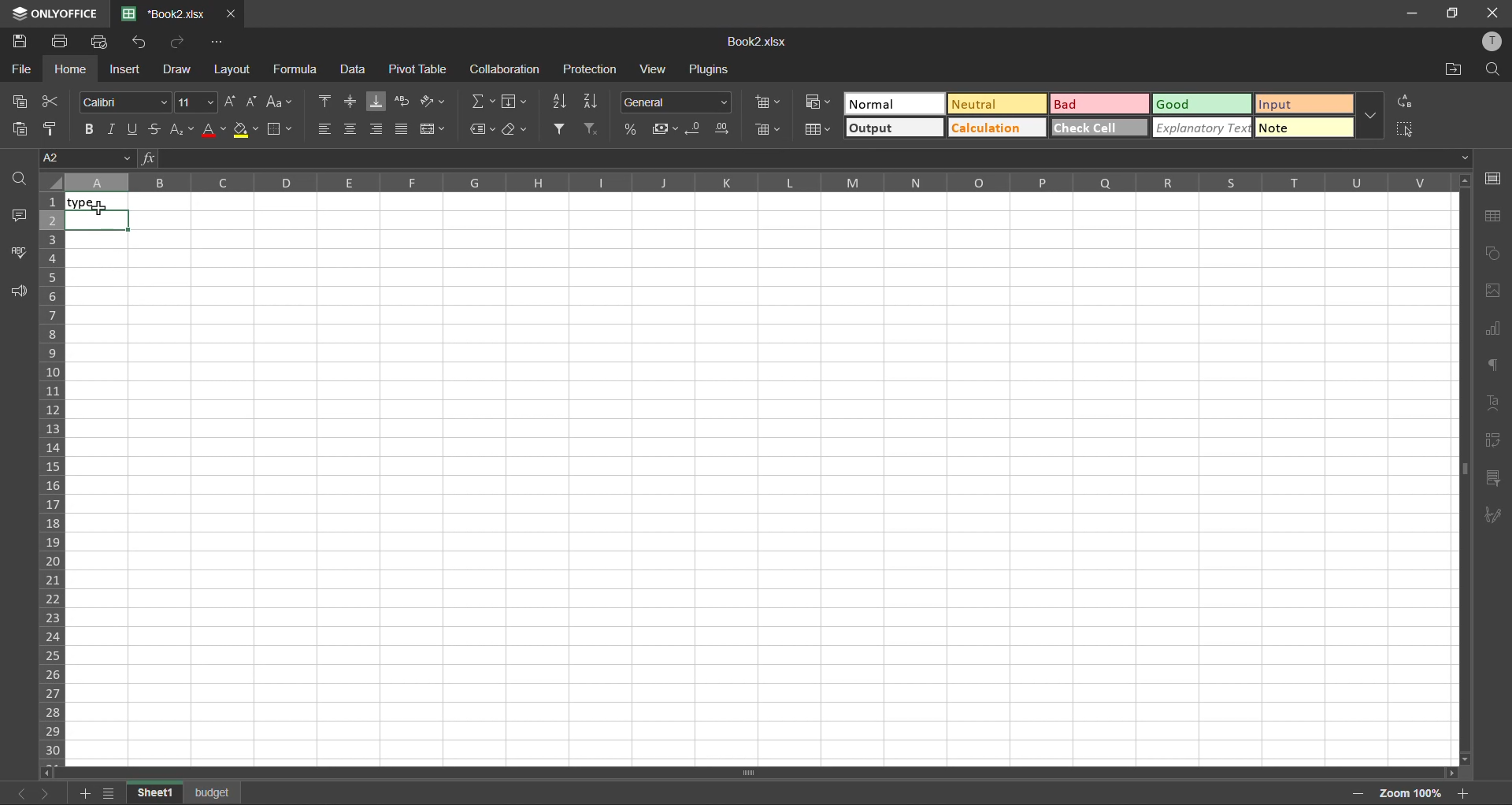  Describe the element at coordinates (214, 132) in the screenshot. I see `font color` at that location.